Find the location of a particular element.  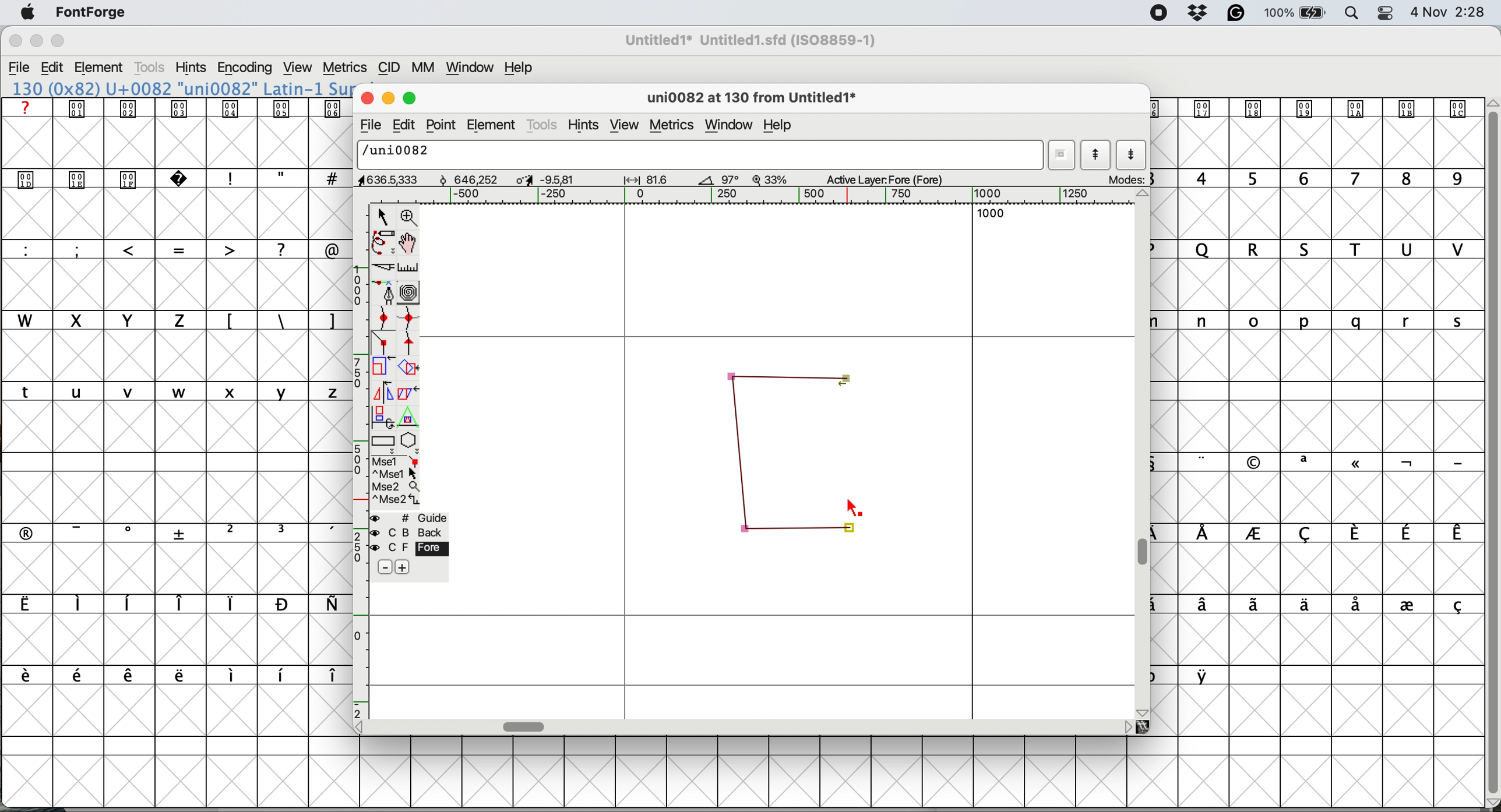

help is located at coordinates (522, 68).